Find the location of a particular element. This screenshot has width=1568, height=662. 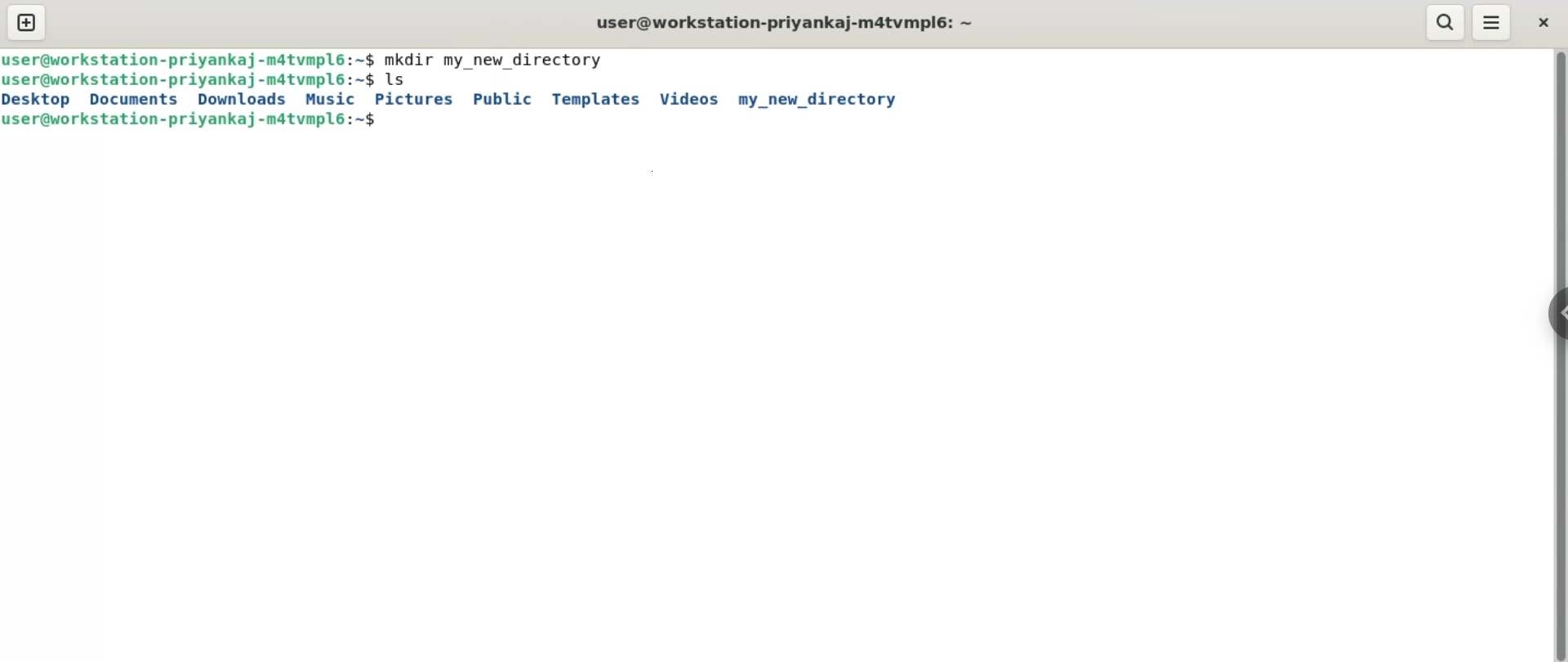

mkdir my_new_directory is located at coordinates (501, 59).